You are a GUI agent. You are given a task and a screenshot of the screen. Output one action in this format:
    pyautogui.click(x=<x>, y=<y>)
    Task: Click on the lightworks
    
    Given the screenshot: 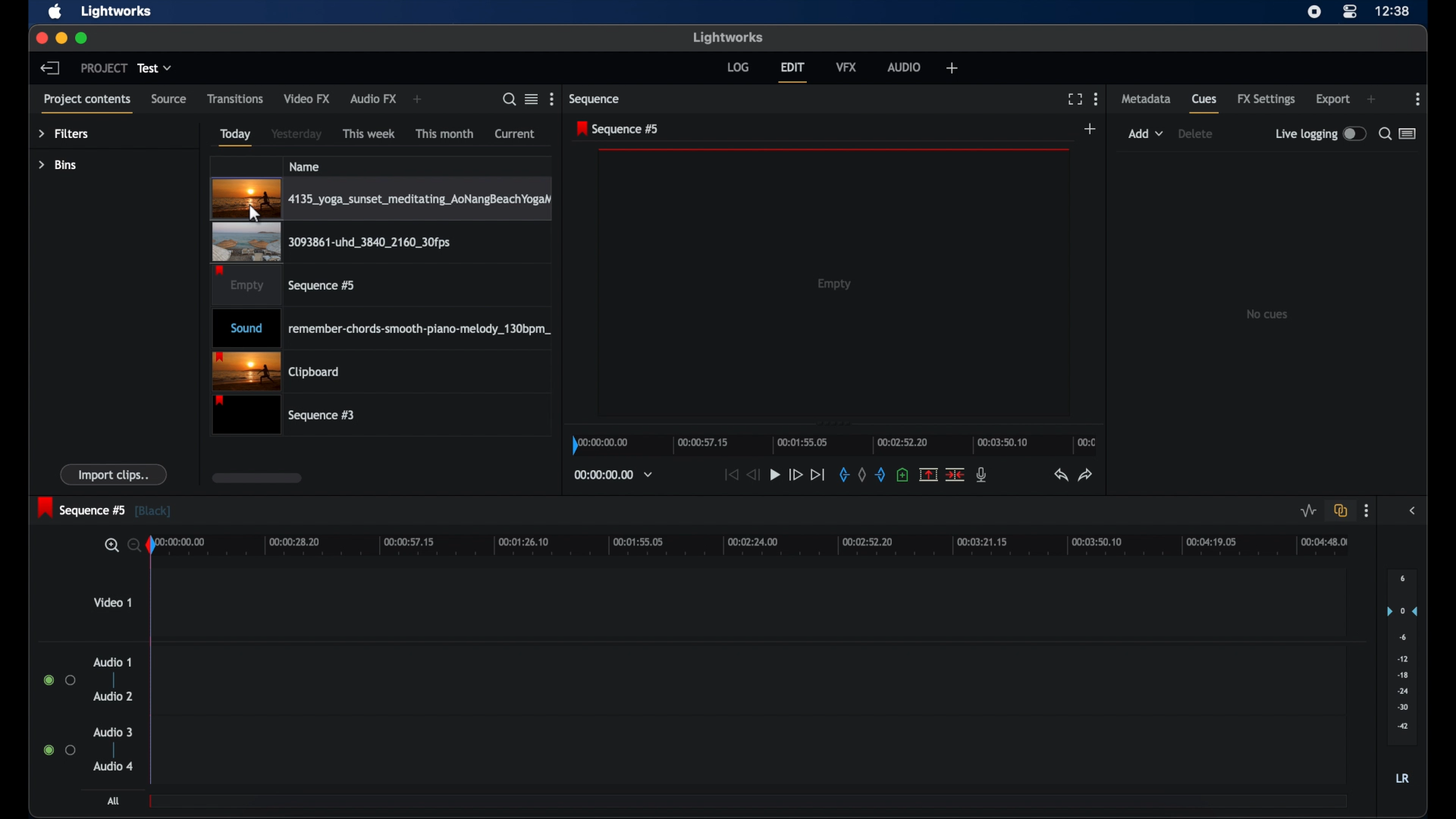 What is the action you would take?
    pyautogui.click(x=118, y=11)
    